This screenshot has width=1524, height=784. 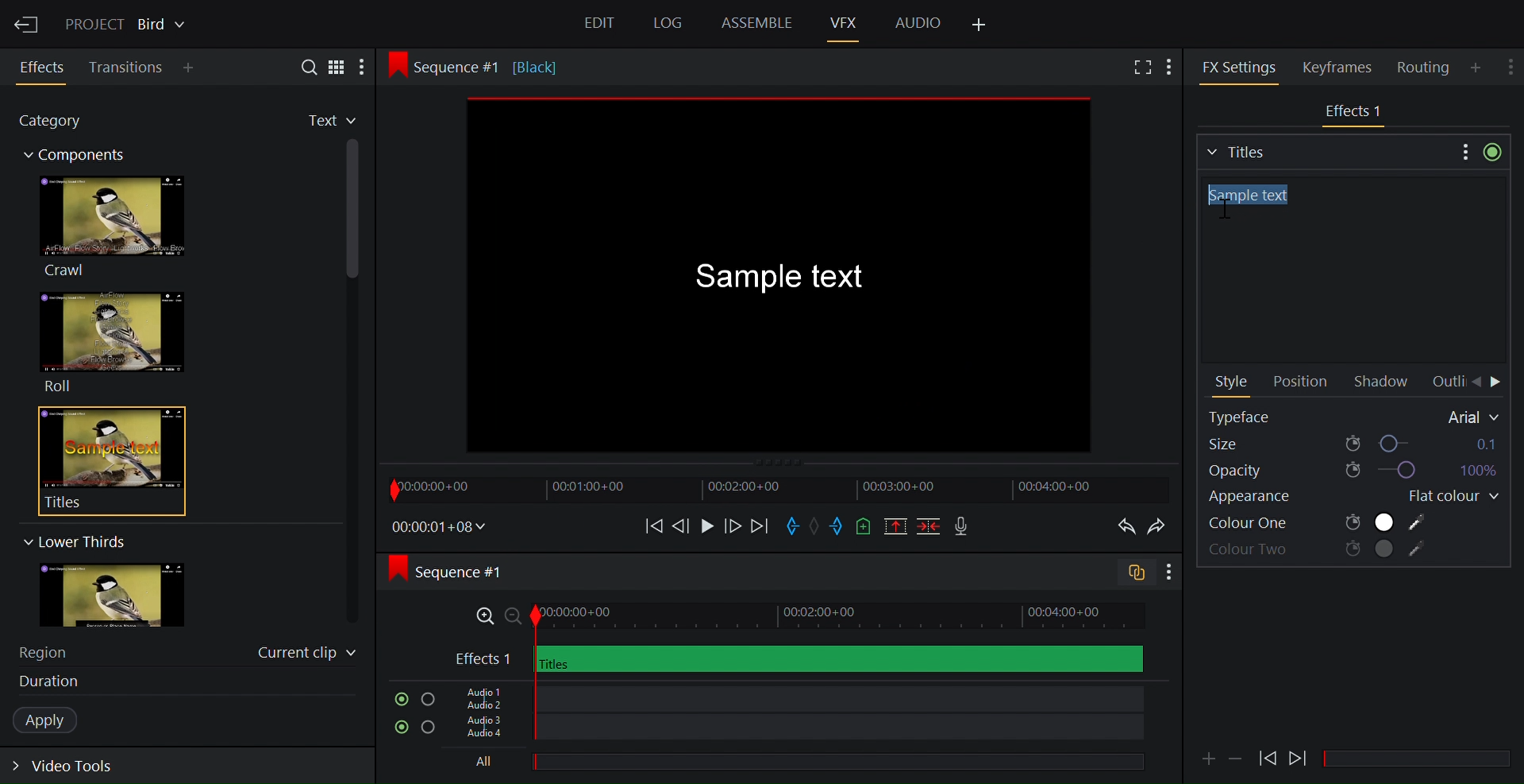 I want to click on Attachment, so click(x=1208, y=759).